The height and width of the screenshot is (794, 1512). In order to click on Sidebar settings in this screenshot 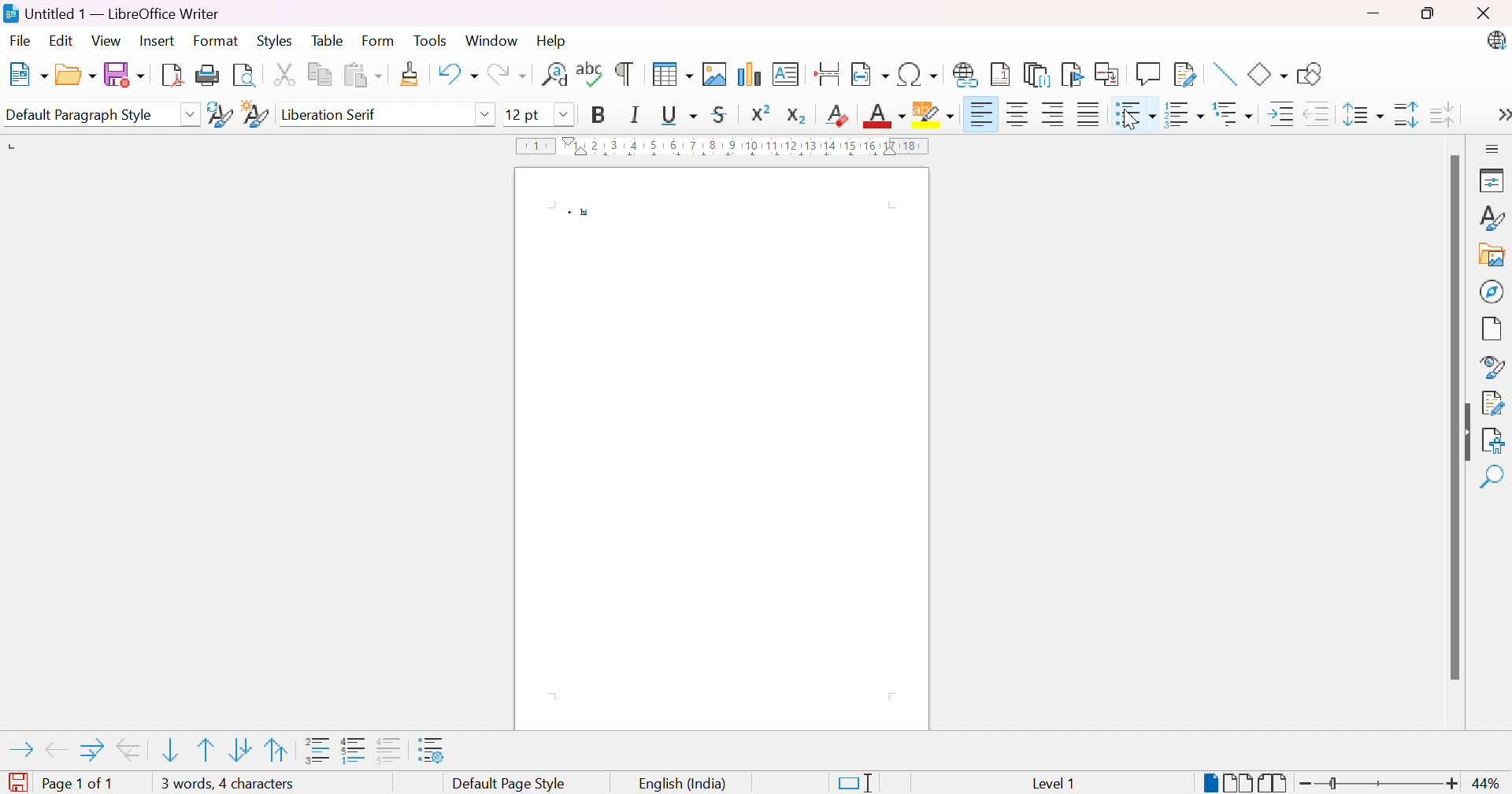, I will do `click(1493, 147)`.